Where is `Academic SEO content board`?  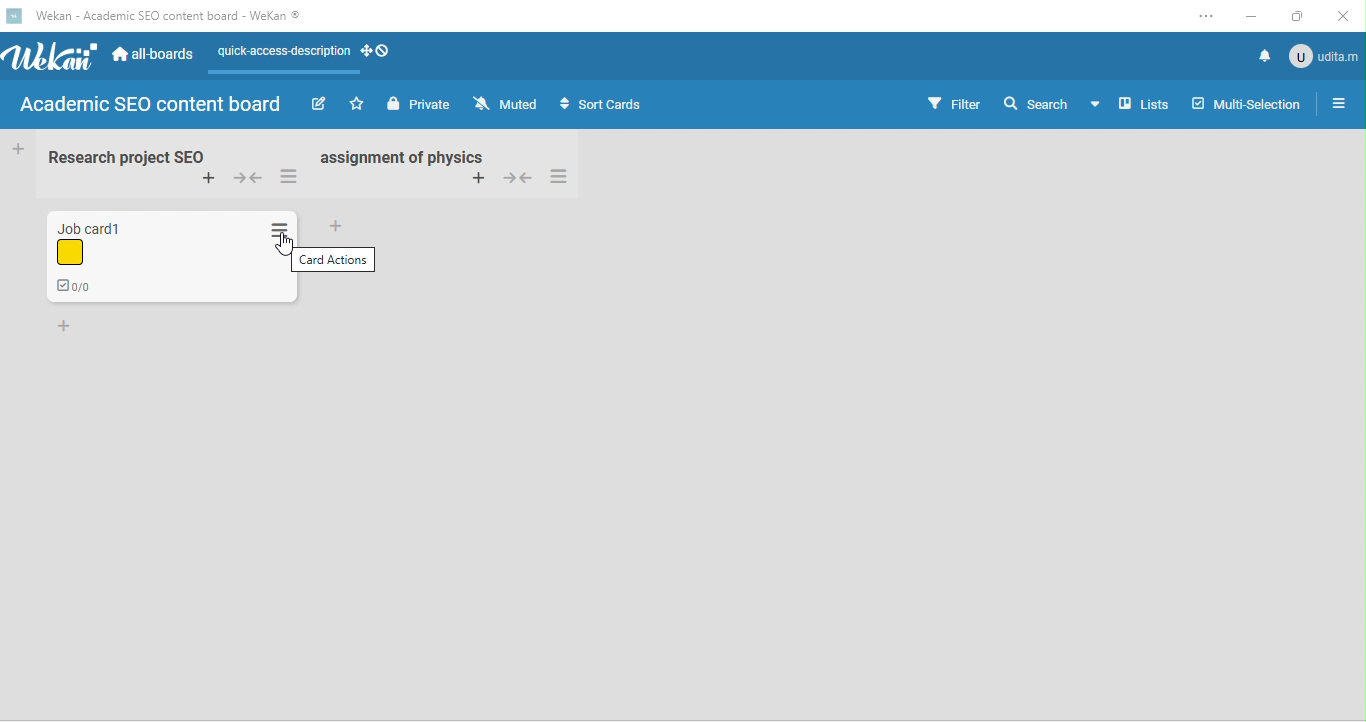
Academic SEO content board is located at coordinates (152, 104).